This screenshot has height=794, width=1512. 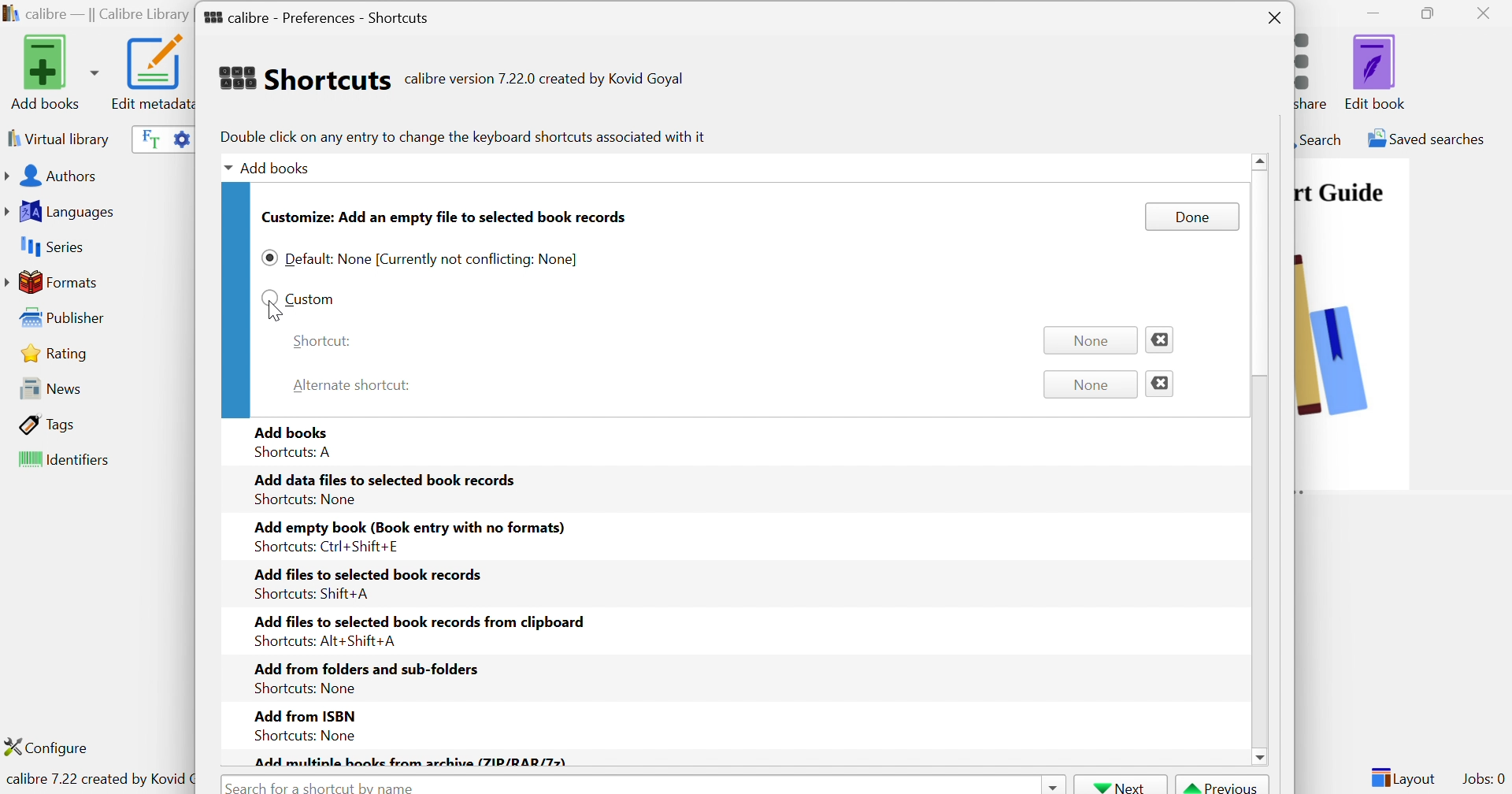 I want to click on Formats, so click(x=54, y=282).